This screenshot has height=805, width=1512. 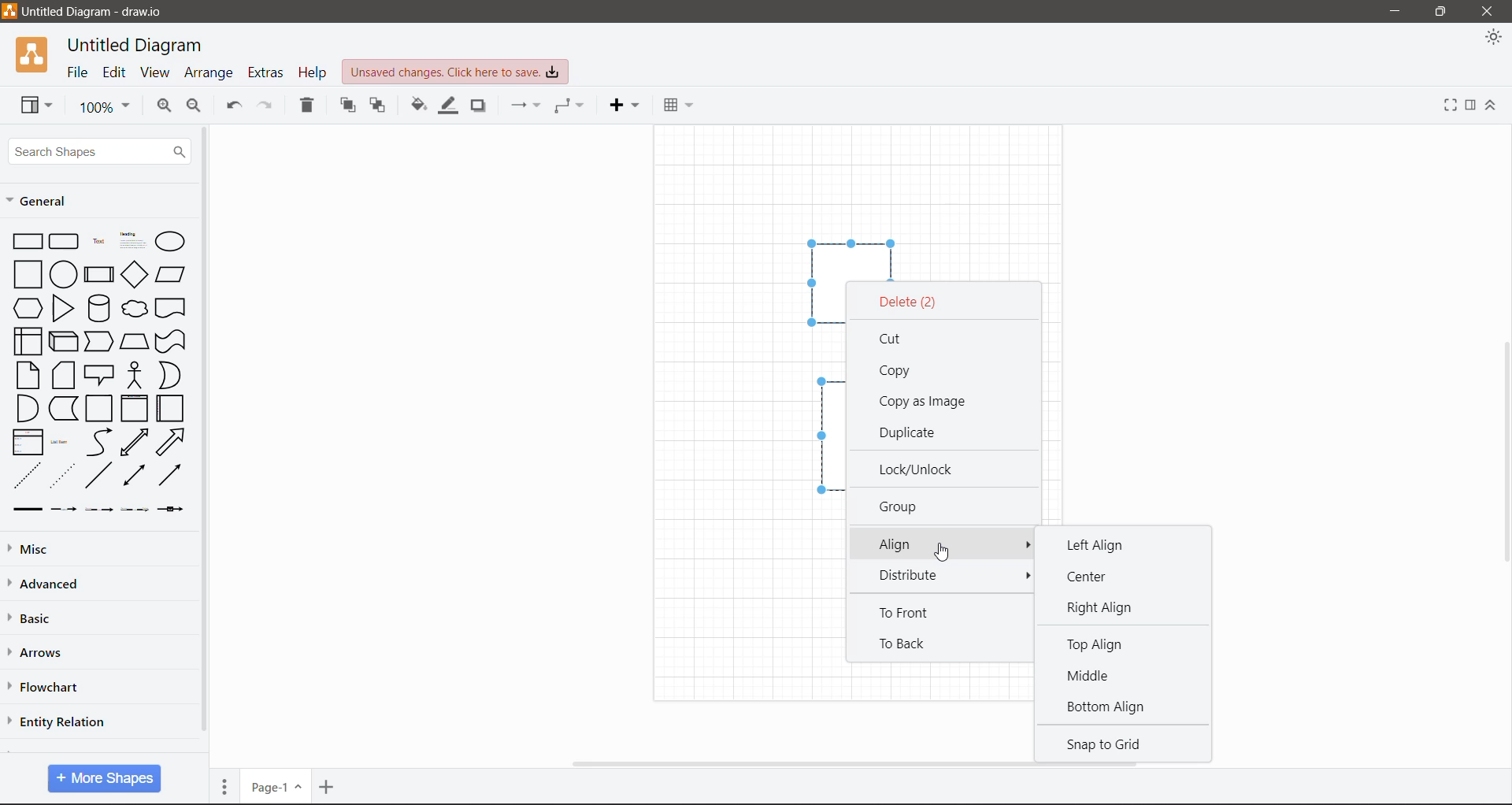 I want to click on Zoom, so click(x=102, y=106).